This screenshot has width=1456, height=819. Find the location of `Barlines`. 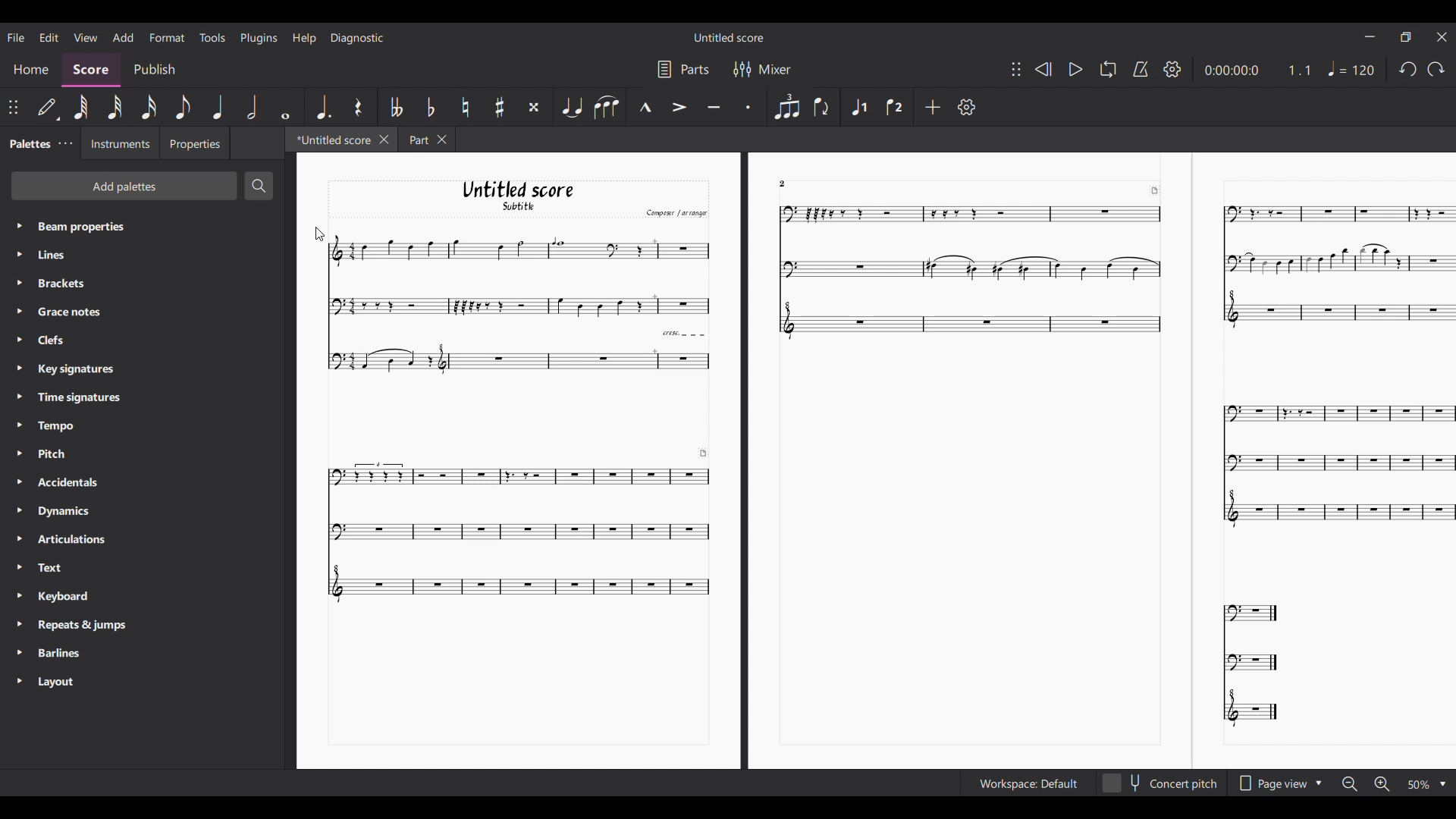

Barlines is located at coordinates (62, 654).